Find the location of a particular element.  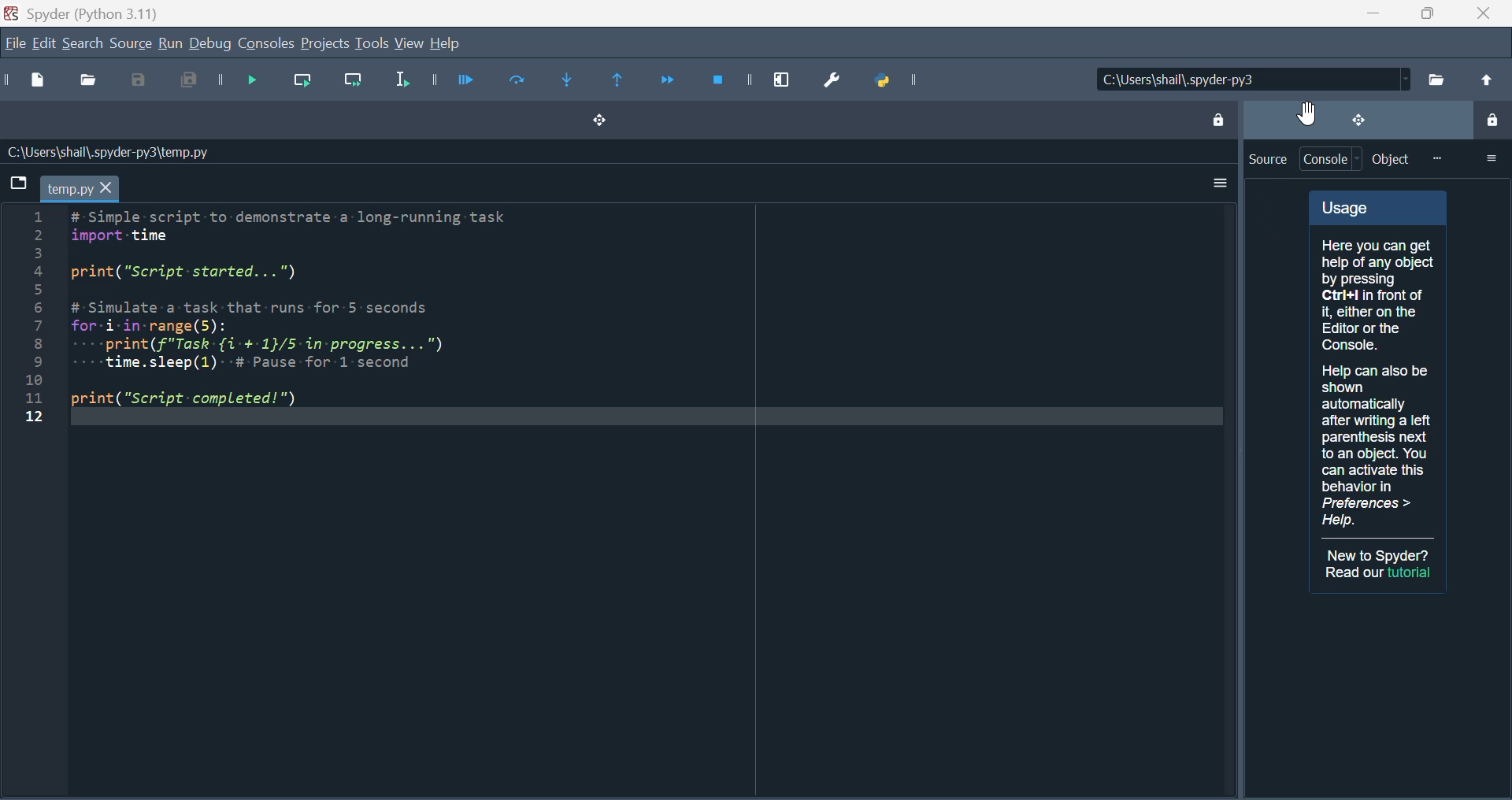

Console is located at coordinates (1332, 159).